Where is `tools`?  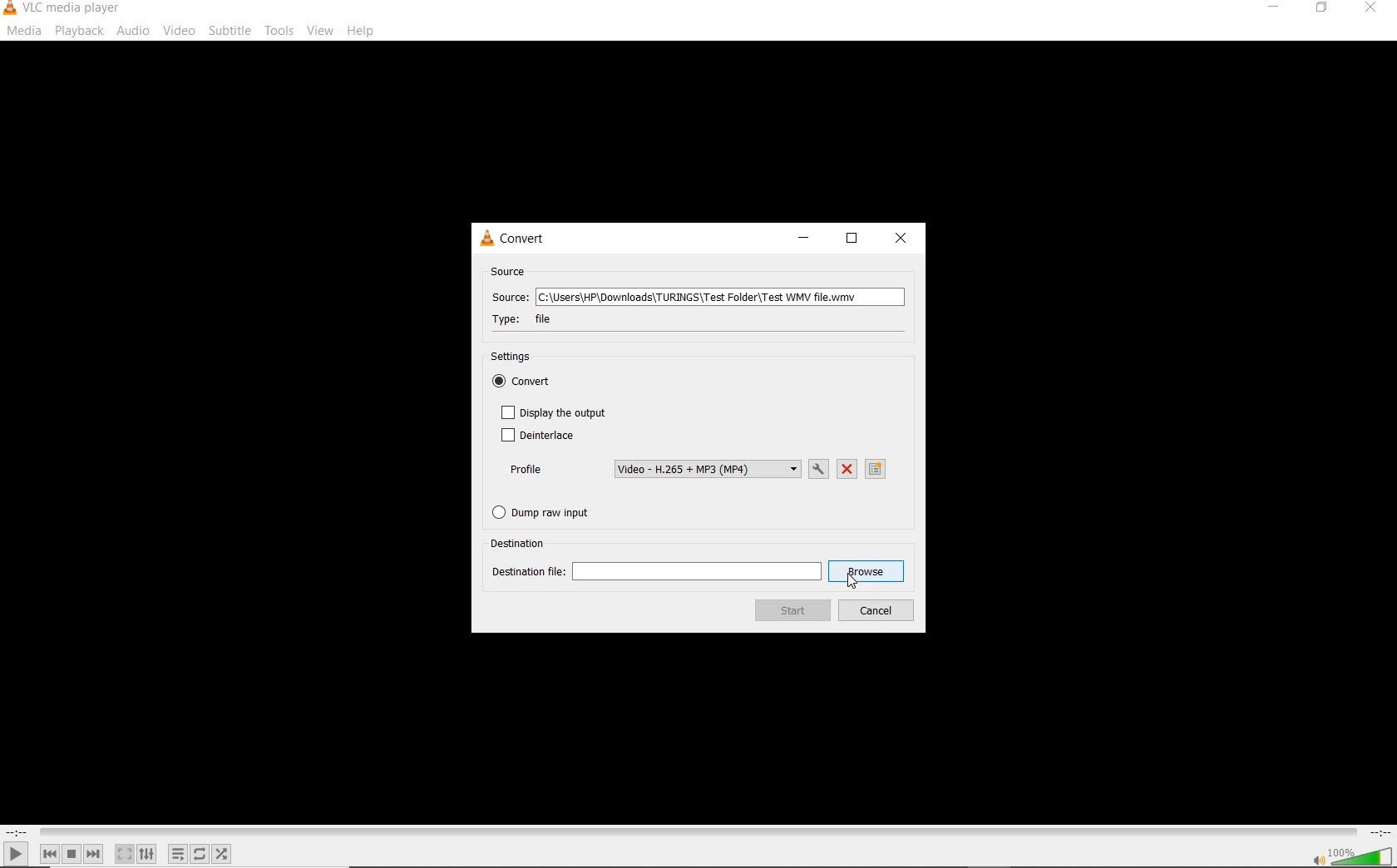
tools is located at coordinates (278, 28).